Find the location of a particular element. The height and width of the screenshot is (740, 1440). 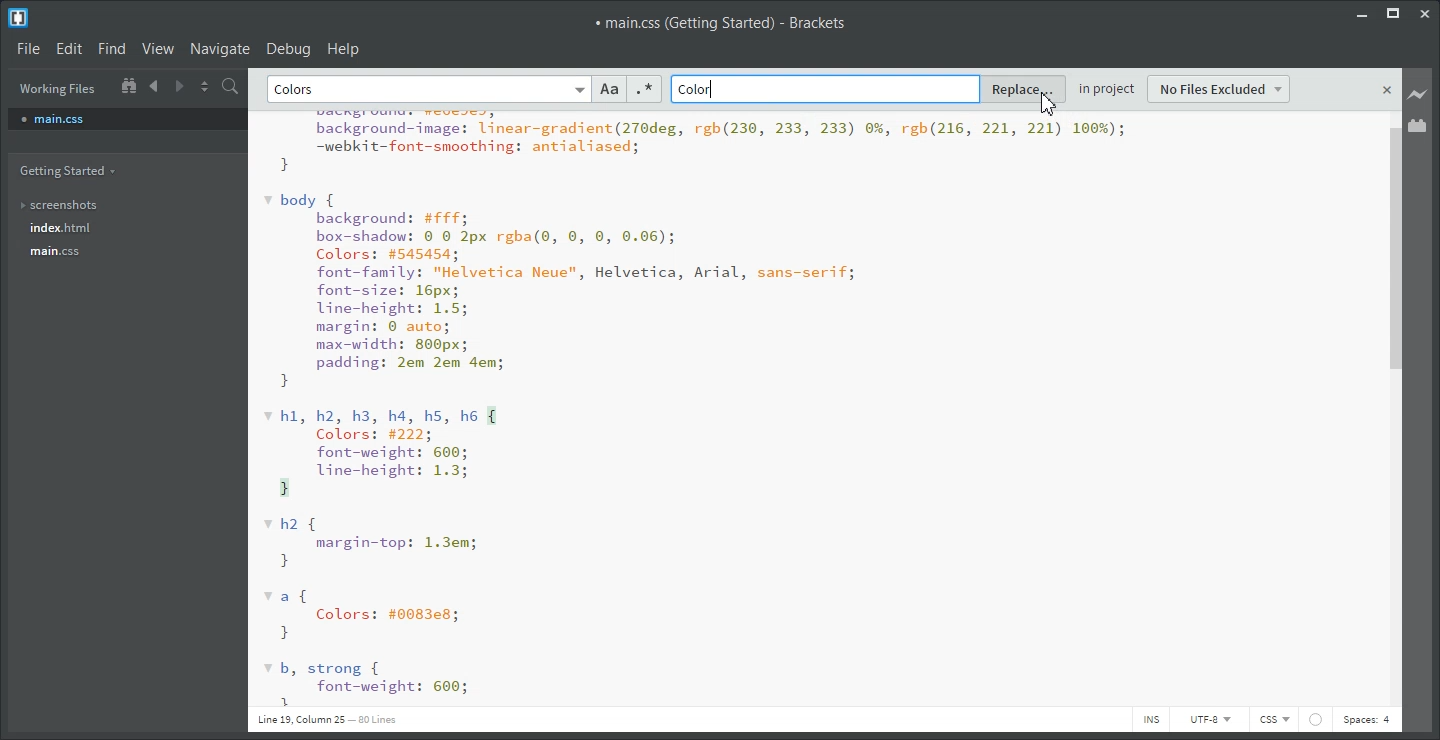

Minimize is located at coordinates (1361, 13).